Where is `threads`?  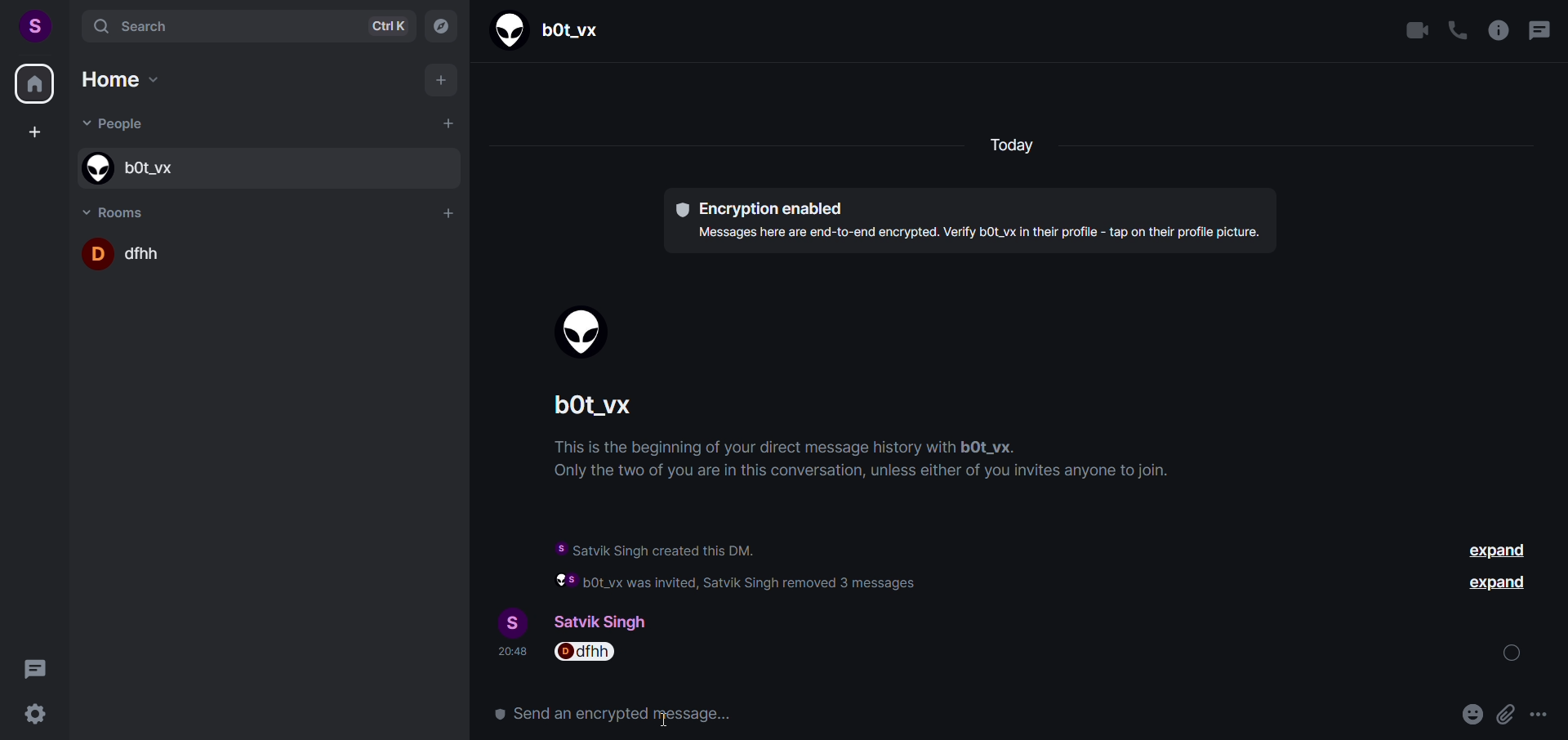
threads is located at coordinates (35, 666).